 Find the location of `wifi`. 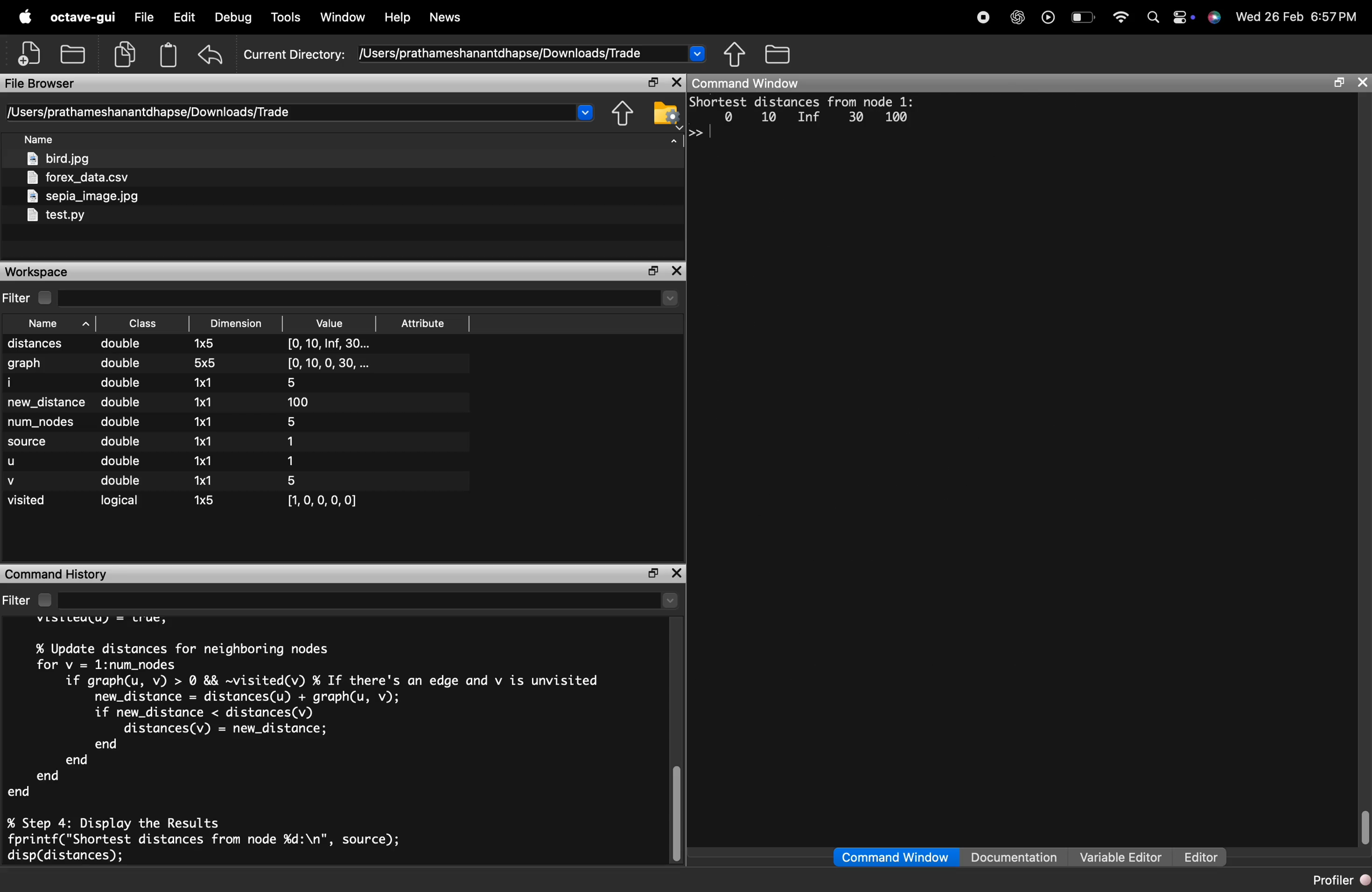

wifi is located at coordinates (1124, 18).